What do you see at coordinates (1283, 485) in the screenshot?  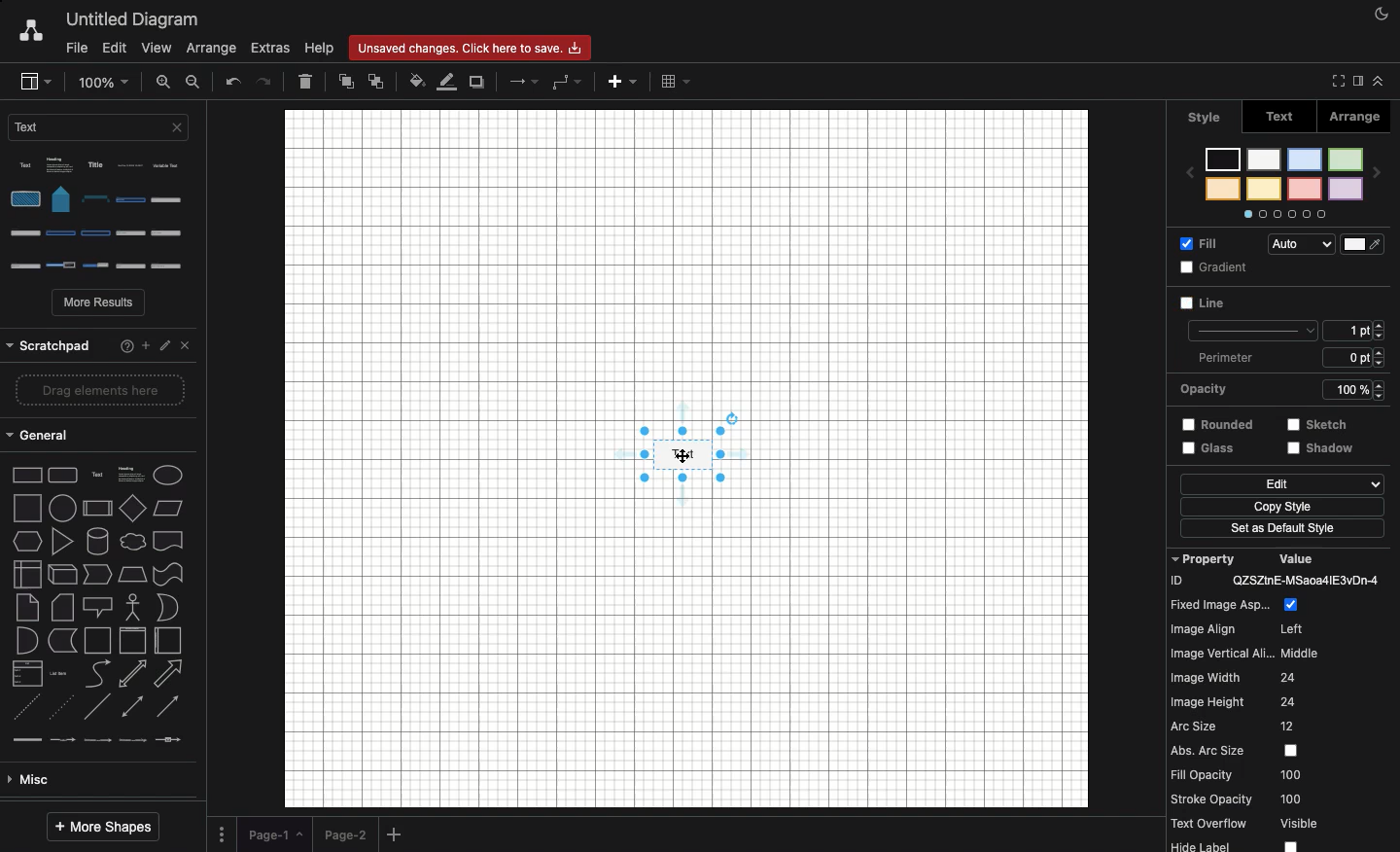 I see `Copy style` at bounding box center [1283, 485].